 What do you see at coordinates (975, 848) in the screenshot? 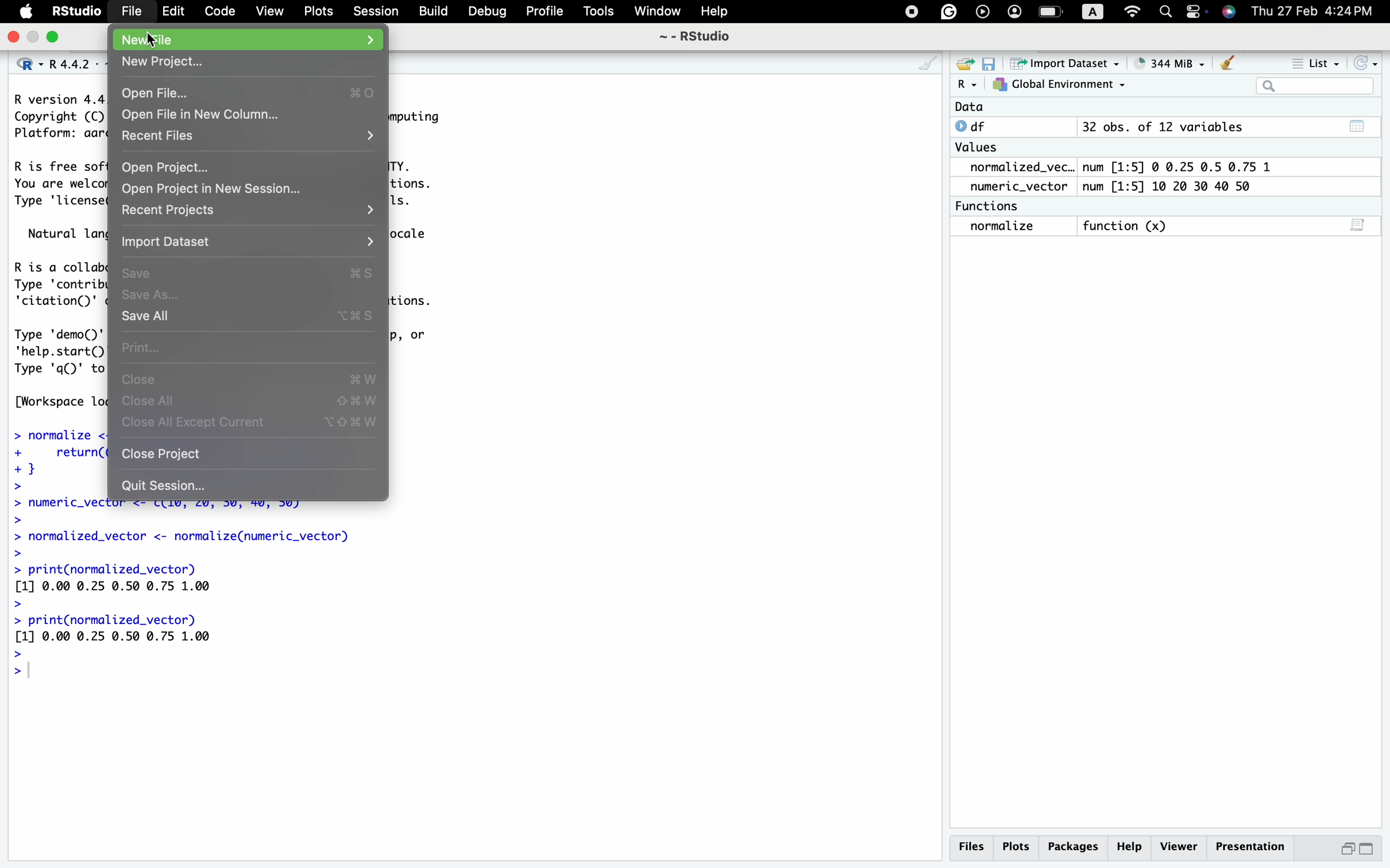
I see `Files` at bounding box center [975, 848].